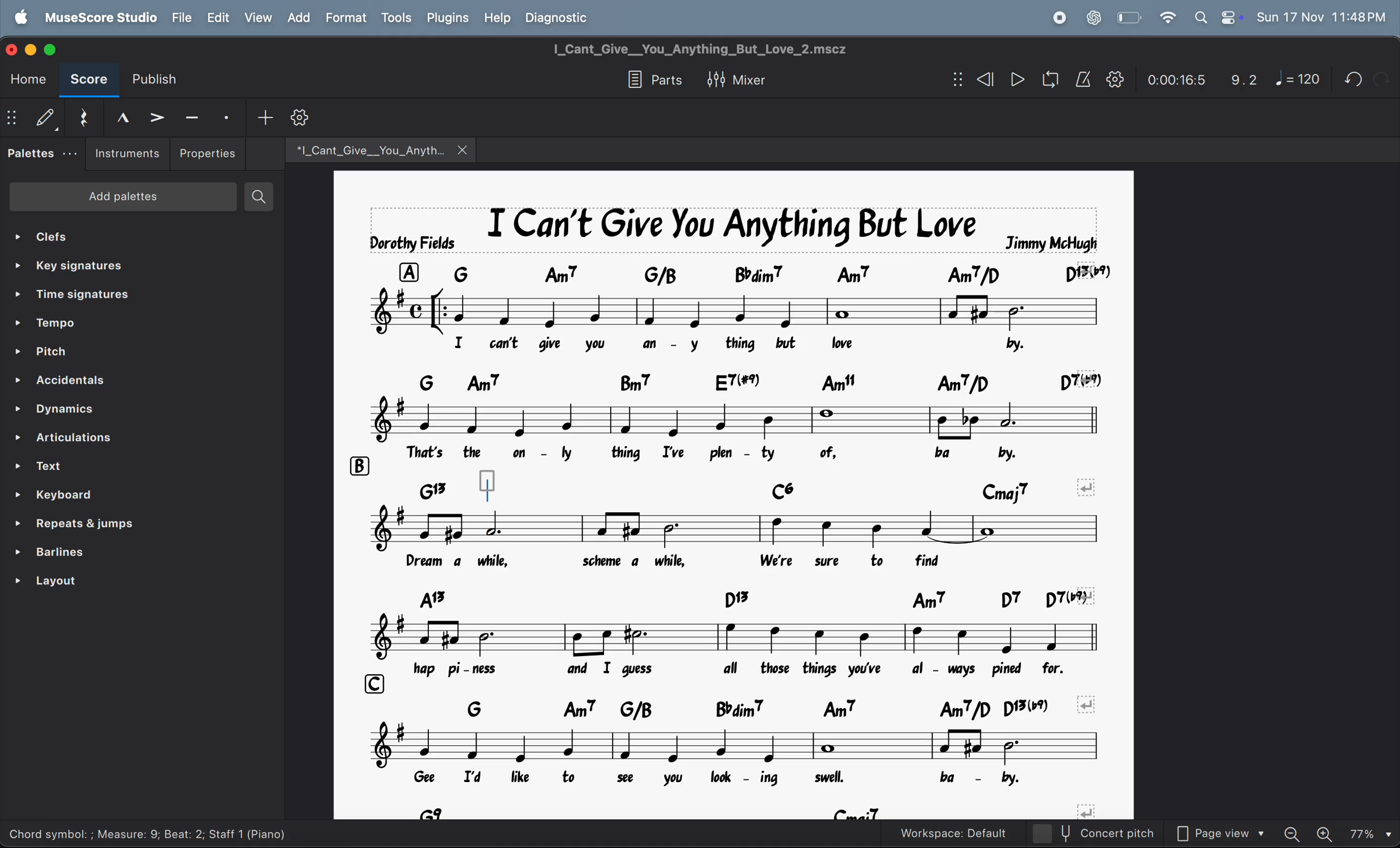 This screenshot has height=848, width=1400. I want to click on repeats and jump, so click(111, 526).